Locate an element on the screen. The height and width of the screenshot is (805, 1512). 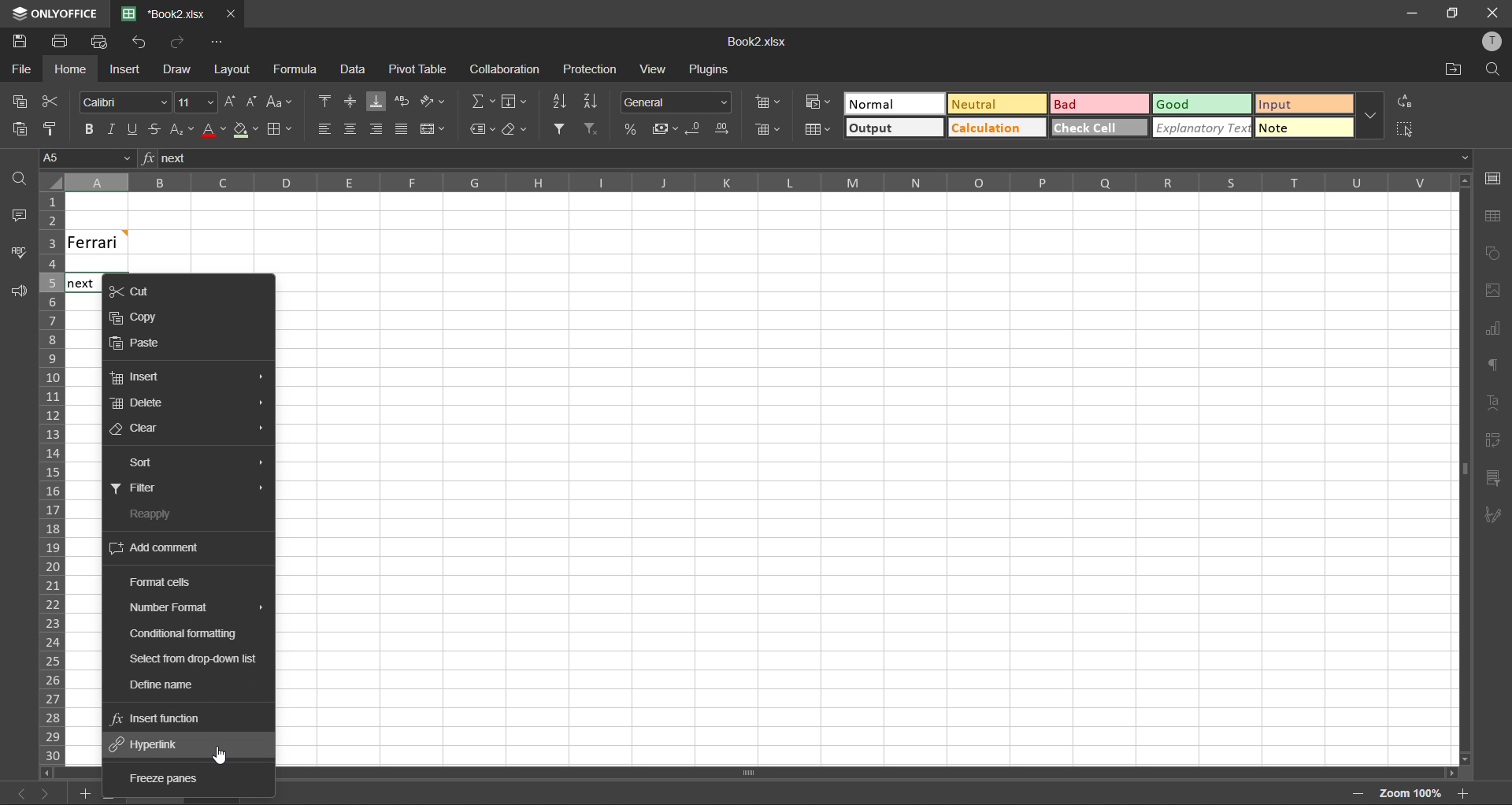
conditional formatting is located at coordinates (187, 635).